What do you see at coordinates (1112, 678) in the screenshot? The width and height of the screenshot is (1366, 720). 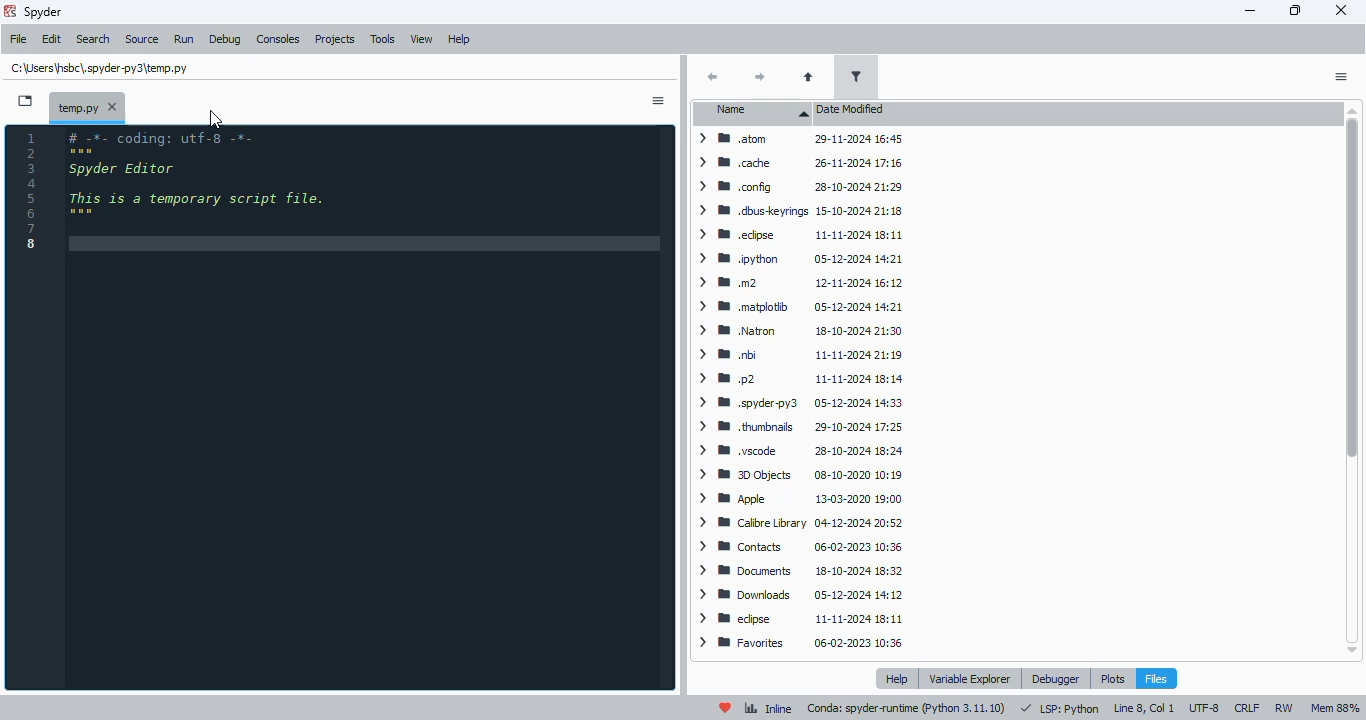 I see `plots` at bounding box center [1112, 678].